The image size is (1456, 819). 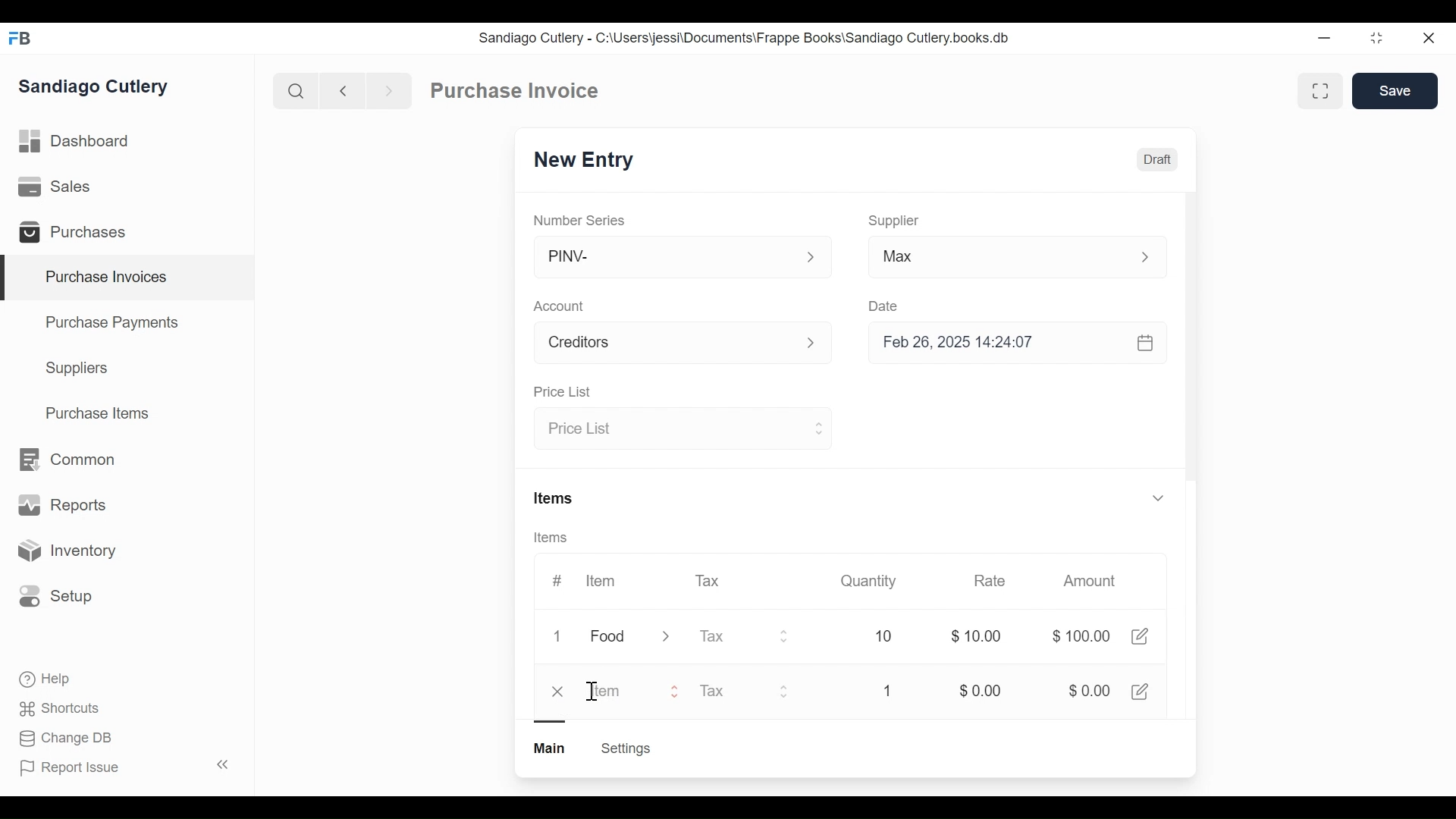 I want to click on Price List, so click(x=669, y=429).